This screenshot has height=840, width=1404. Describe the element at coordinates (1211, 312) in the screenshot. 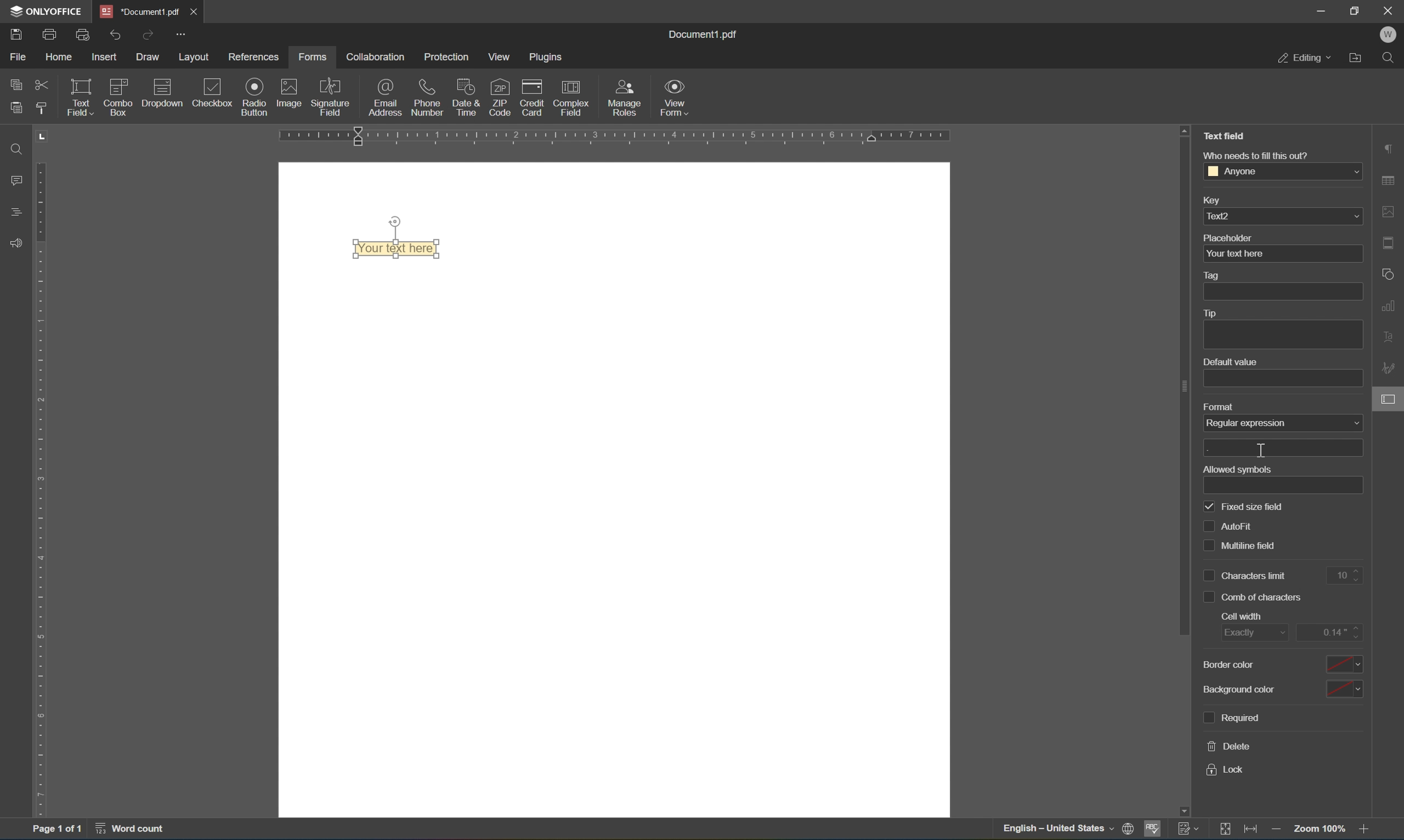

I see `tip` at that location.